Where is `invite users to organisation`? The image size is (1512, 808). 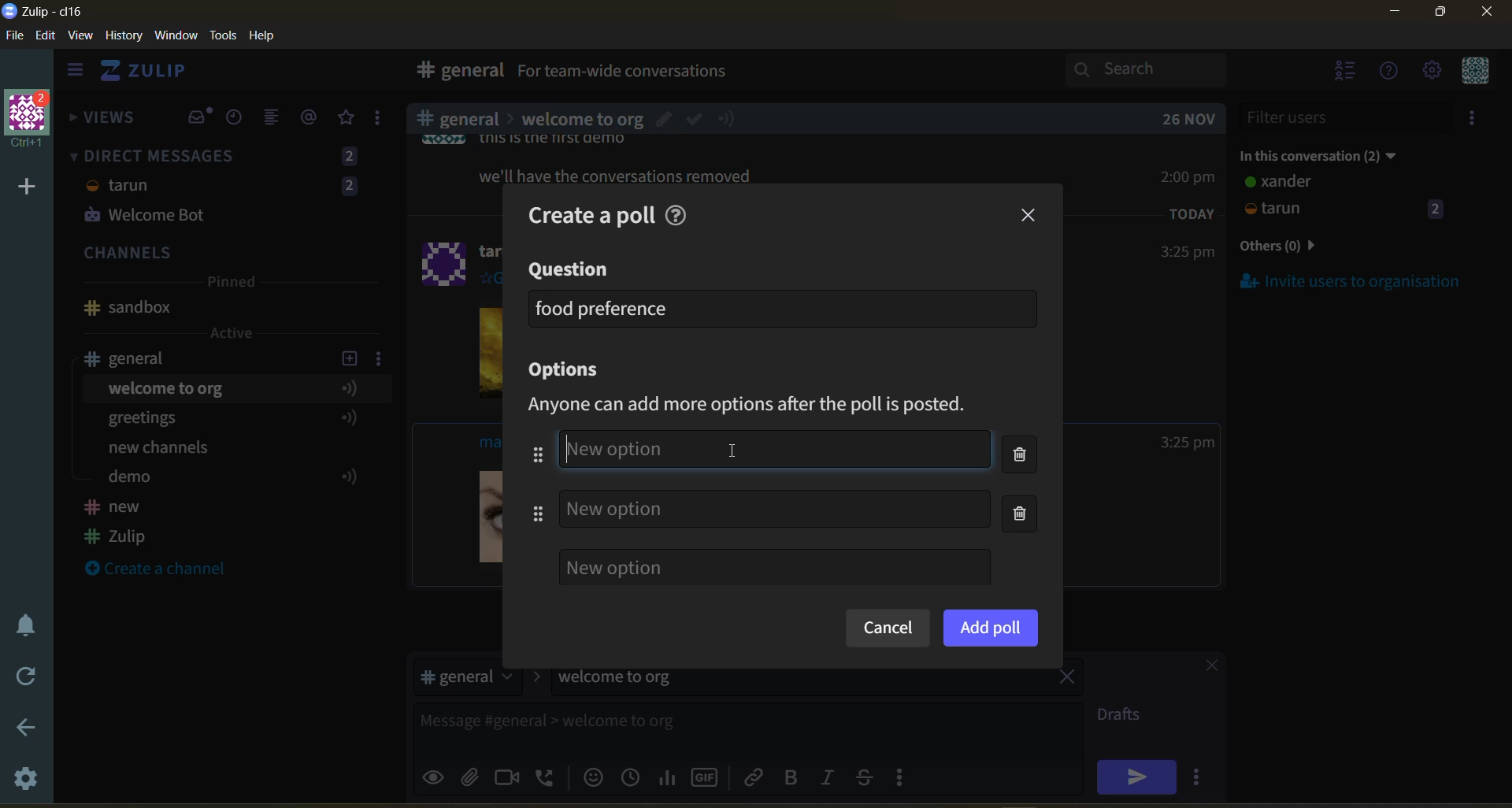
invite users to organisation is located at coordinates (1351, 280).